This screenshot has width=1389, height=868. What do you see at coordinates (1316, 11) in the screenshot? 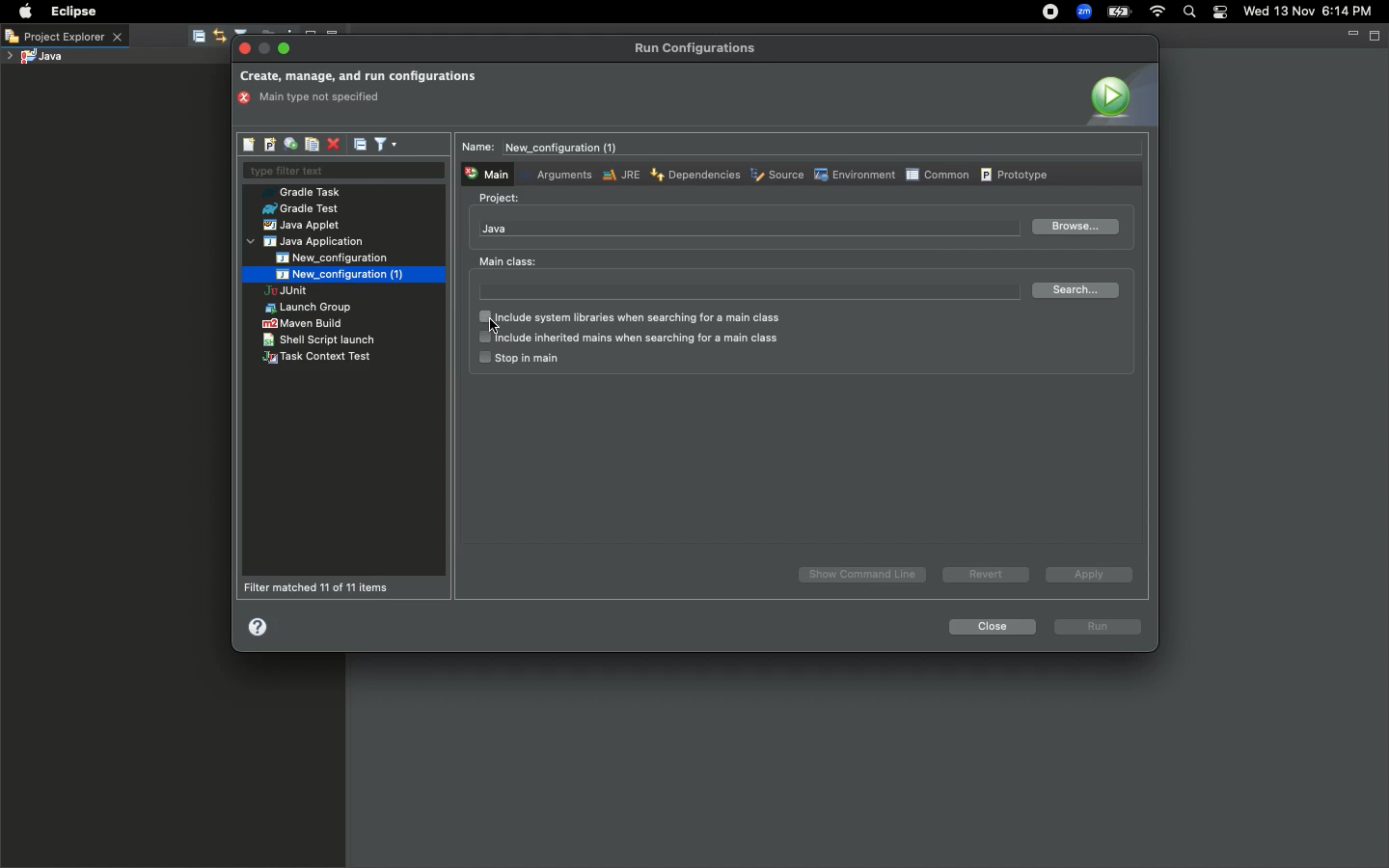
I see `Date/time` at bounding box center [1316, 11].